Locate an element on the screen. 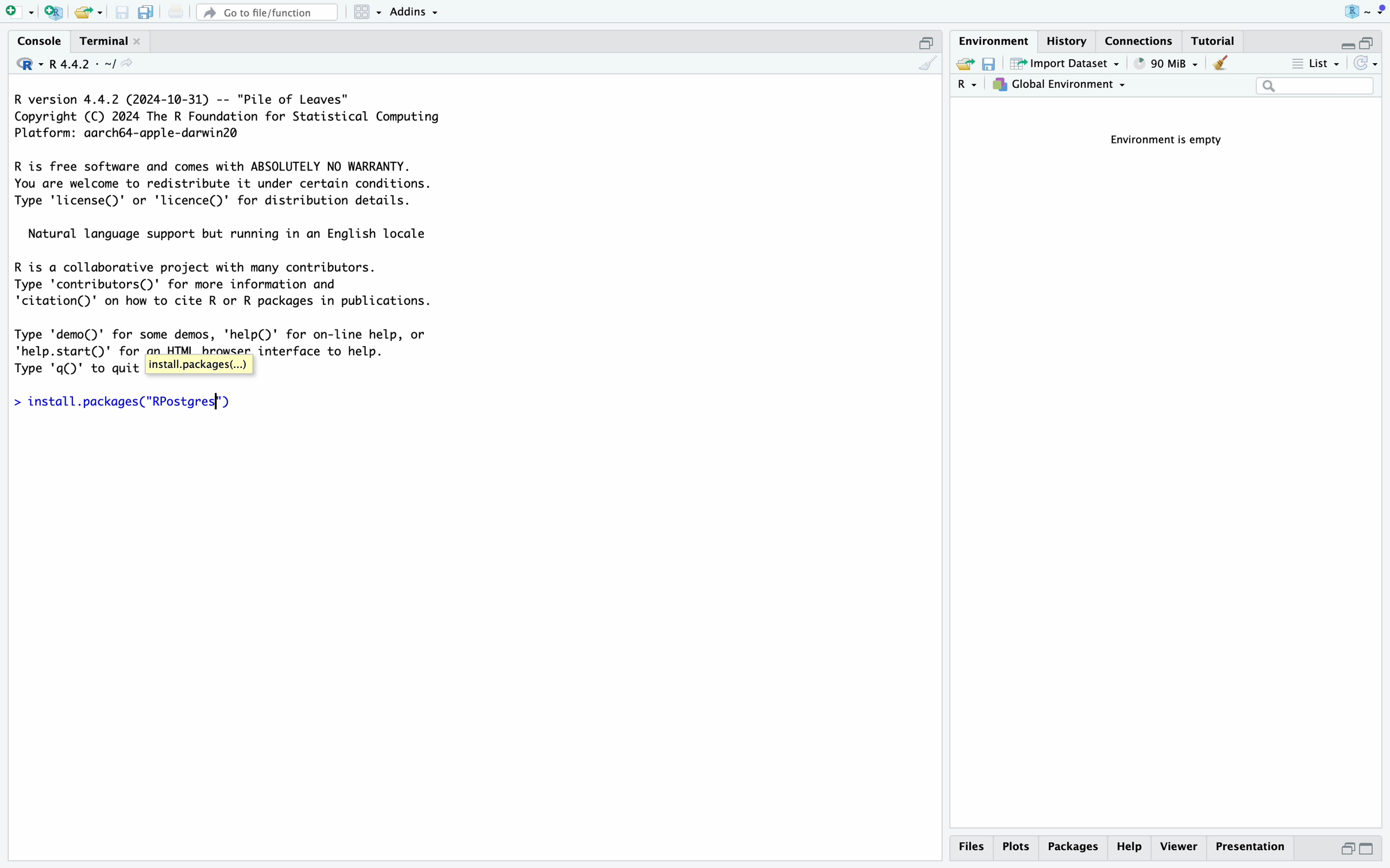  create a project is located at coordinates (52, 11).